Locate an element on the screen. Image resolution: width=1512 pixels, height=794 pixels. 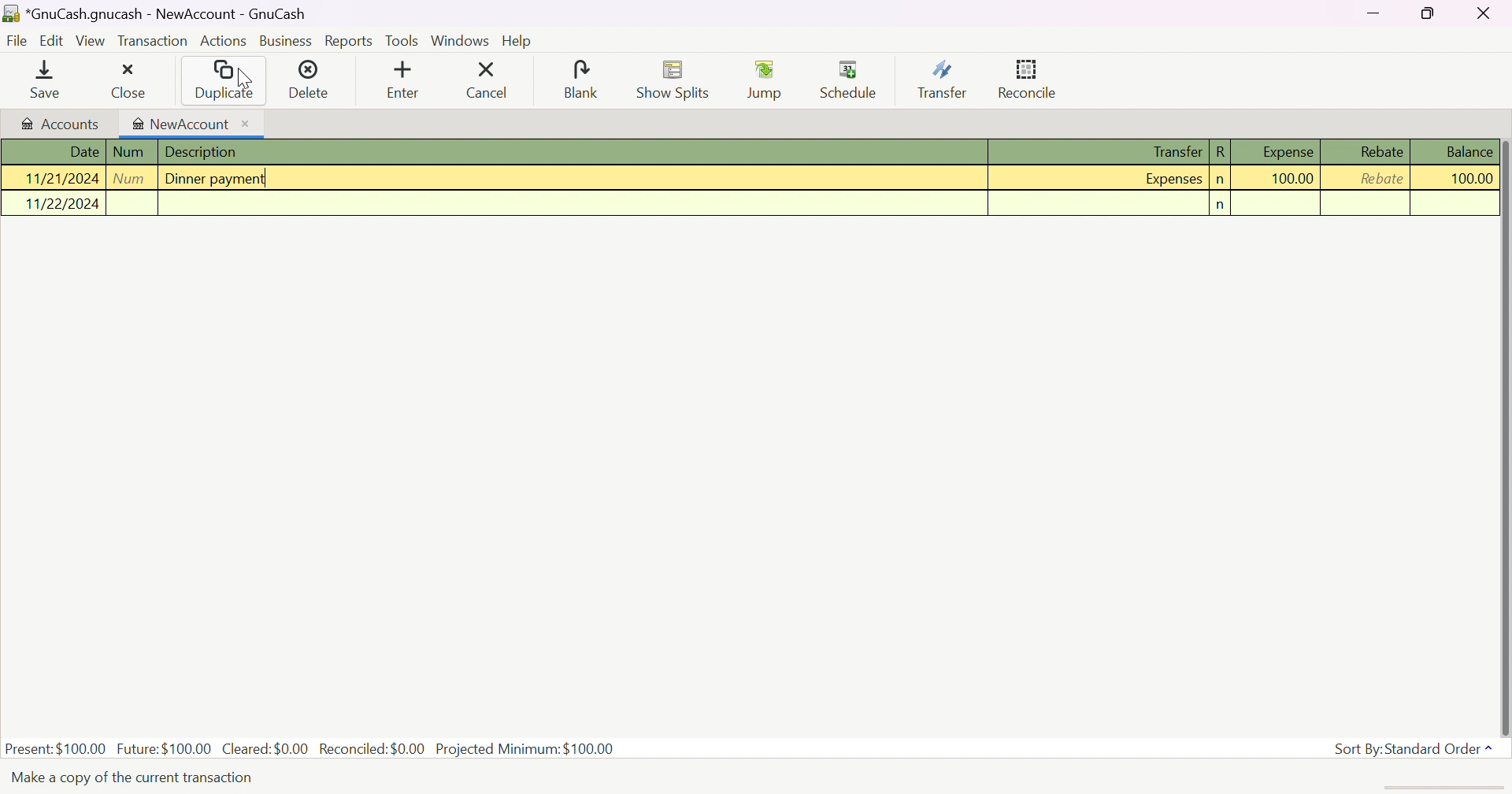
Transaction is located at coordinates (154, 42).